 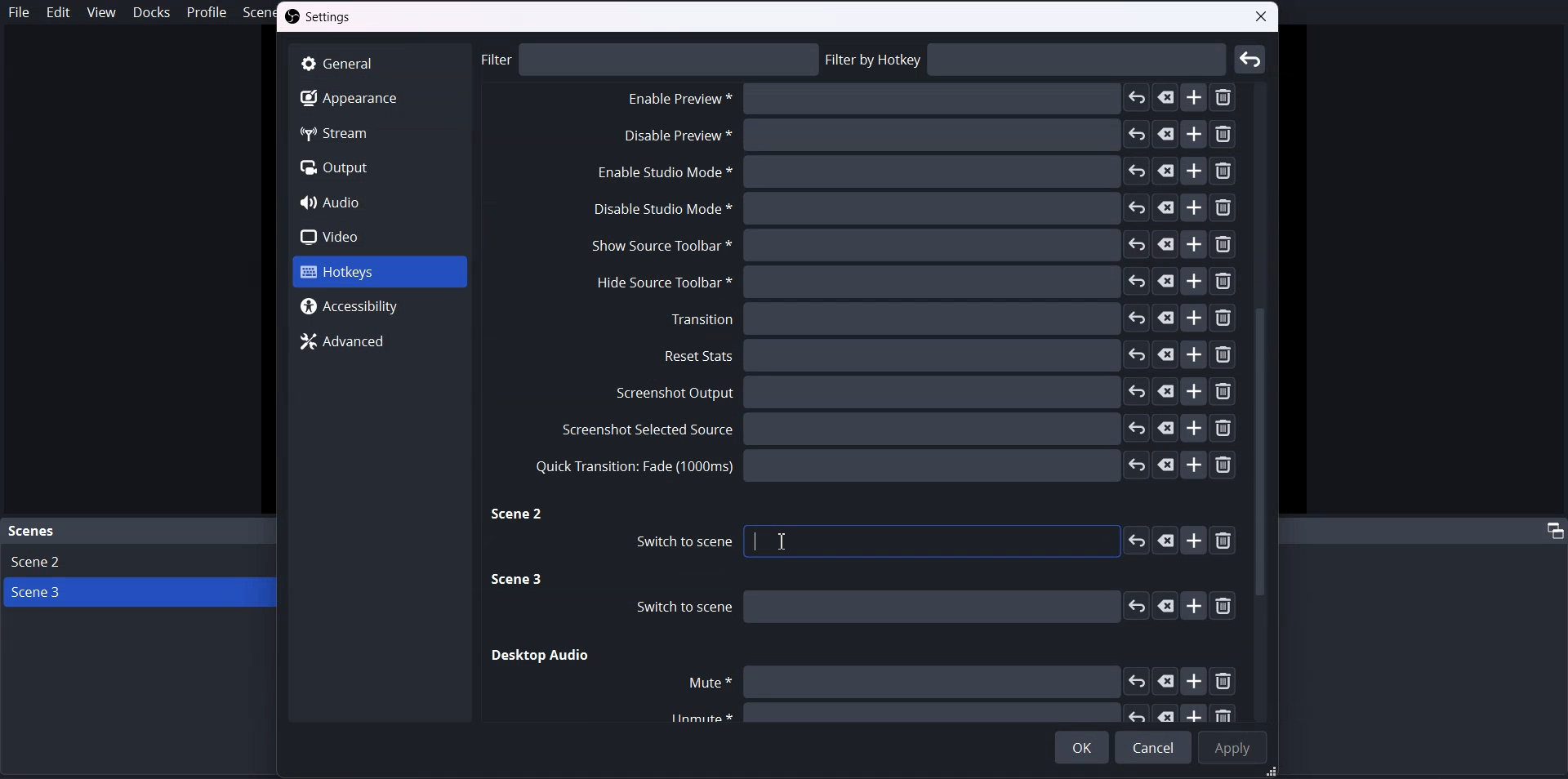 What do you see at coordinates (927, 542) in the screenshot?
I see `Switch to scene` at bounding box center [927, 542].